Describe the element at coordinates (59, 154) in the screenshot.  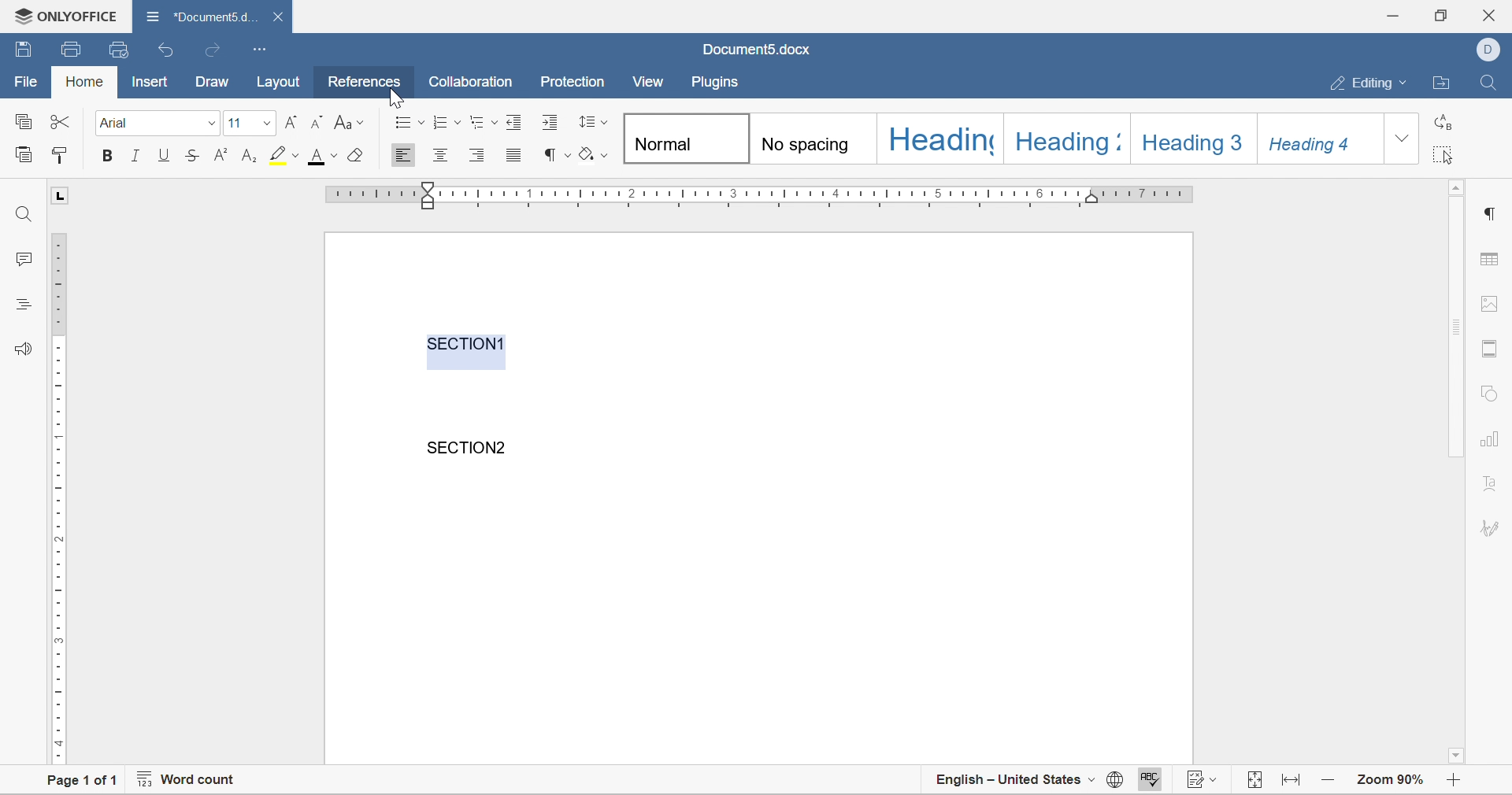
I see `copy style` at that location.